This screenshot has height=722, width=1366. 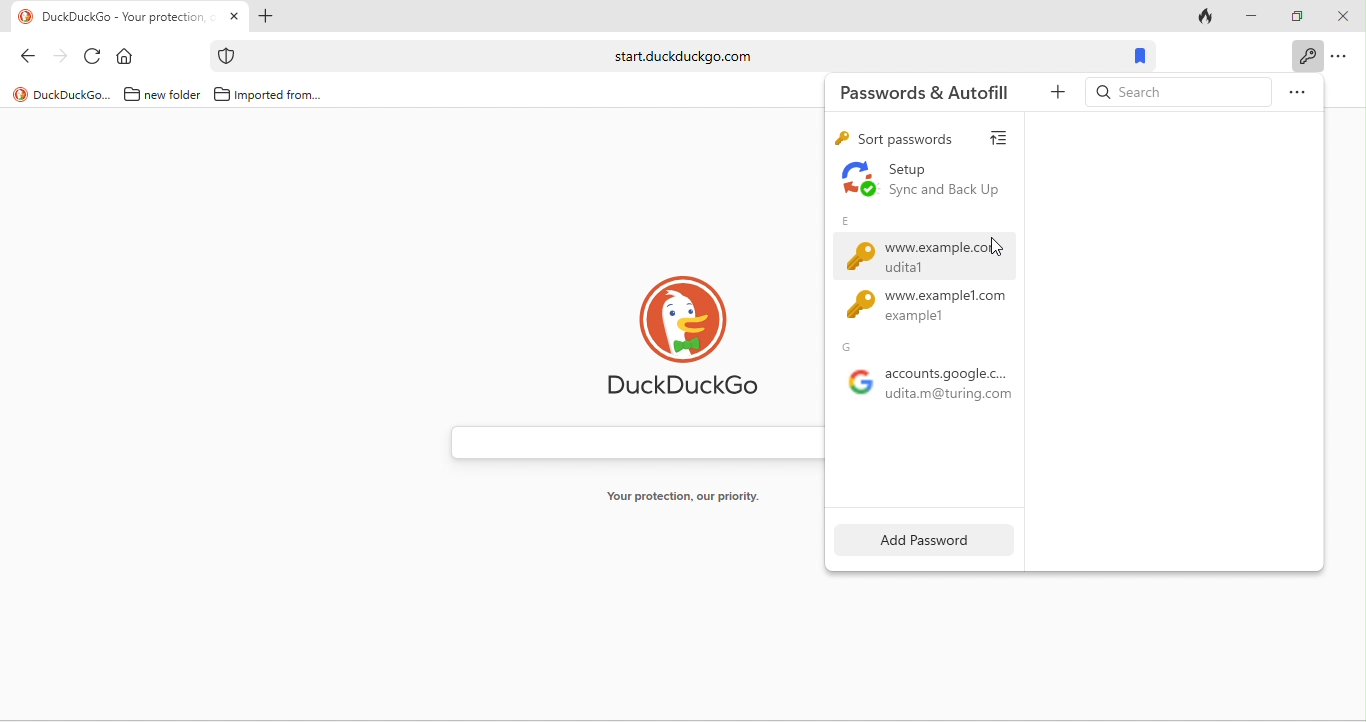 What do you see at coordinates (1296, 90) in the screenshot?
I see `option` at bounding box center [1296, 90].